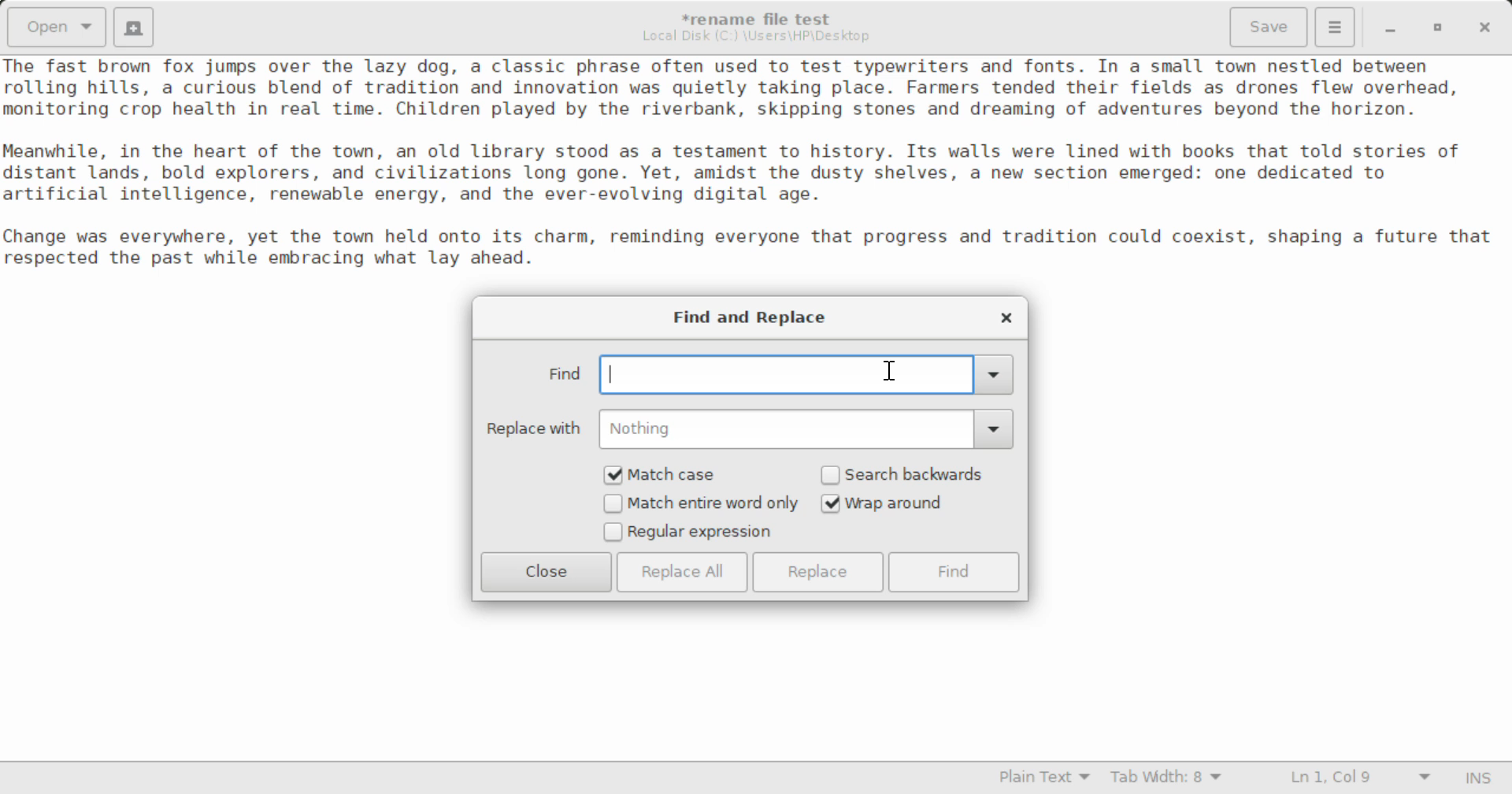  What do you see at coordinates (1393, 27) in the screenshot?
I see `Restore Down` at bounding box center [1393, 27].